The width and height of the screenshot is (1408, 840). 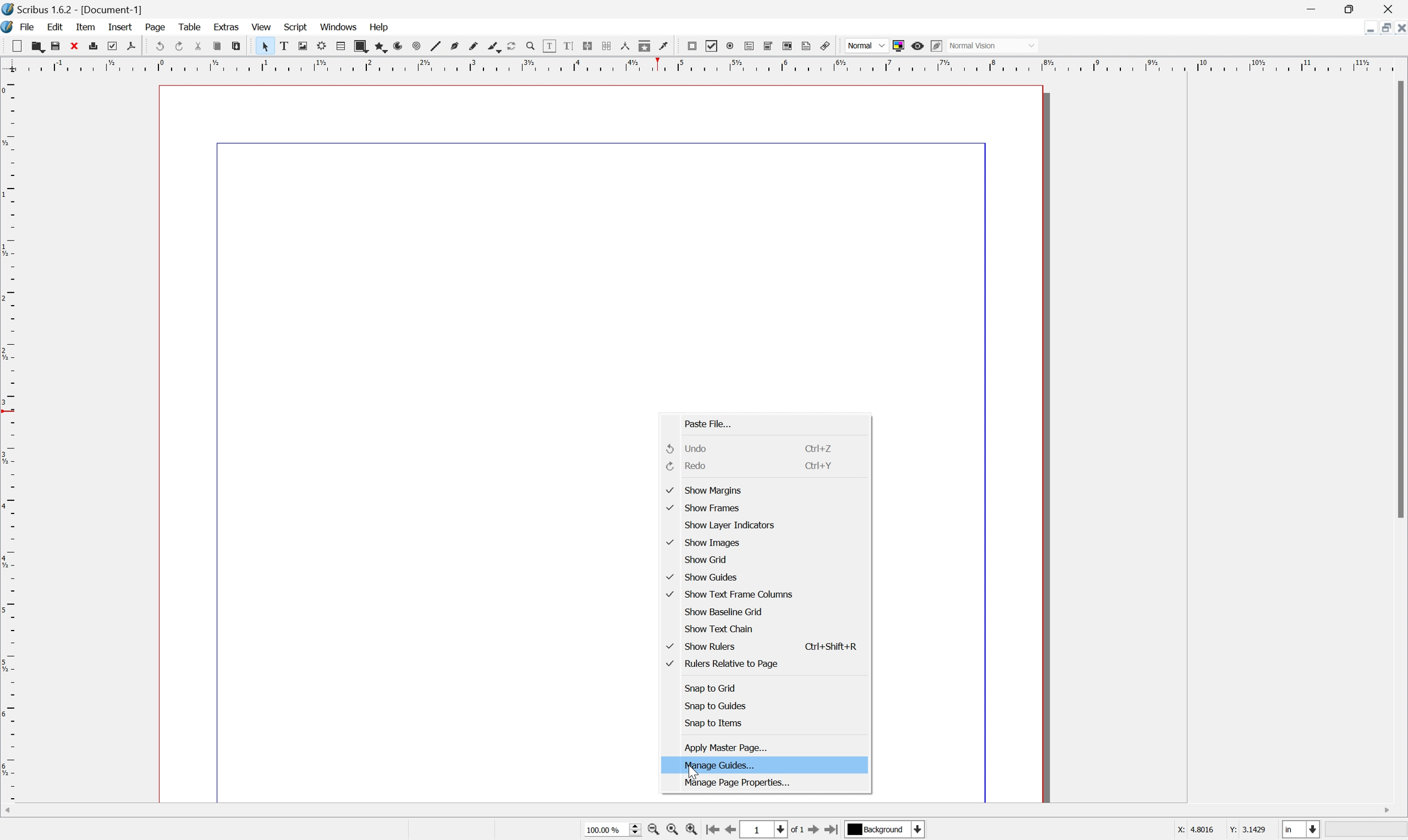 I want to click on spiral, so click(x=416, y=46).